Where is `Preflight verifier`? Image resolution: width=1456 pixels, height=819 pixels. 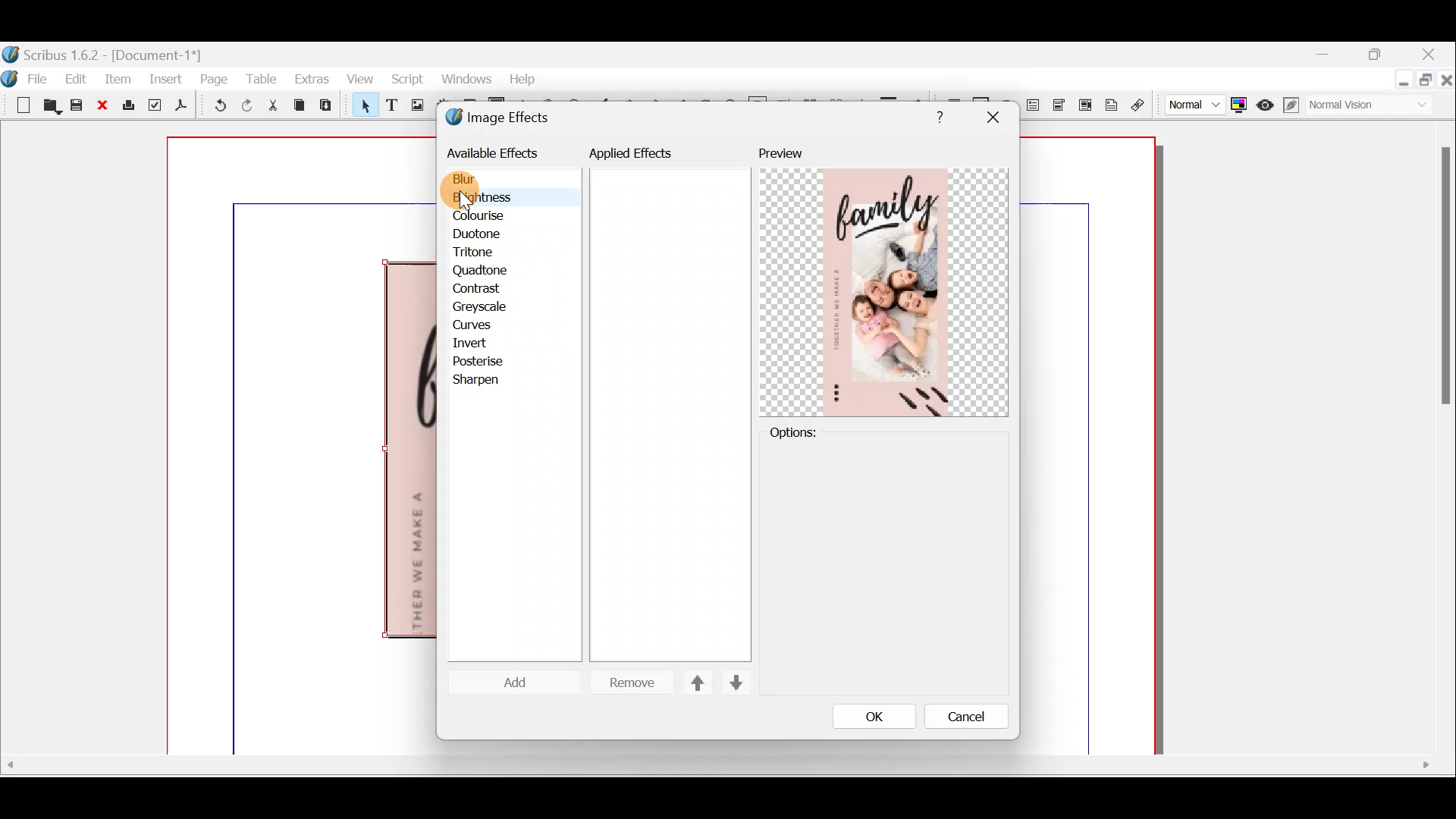
Preflight verifier is located at coordinates (155, 108).